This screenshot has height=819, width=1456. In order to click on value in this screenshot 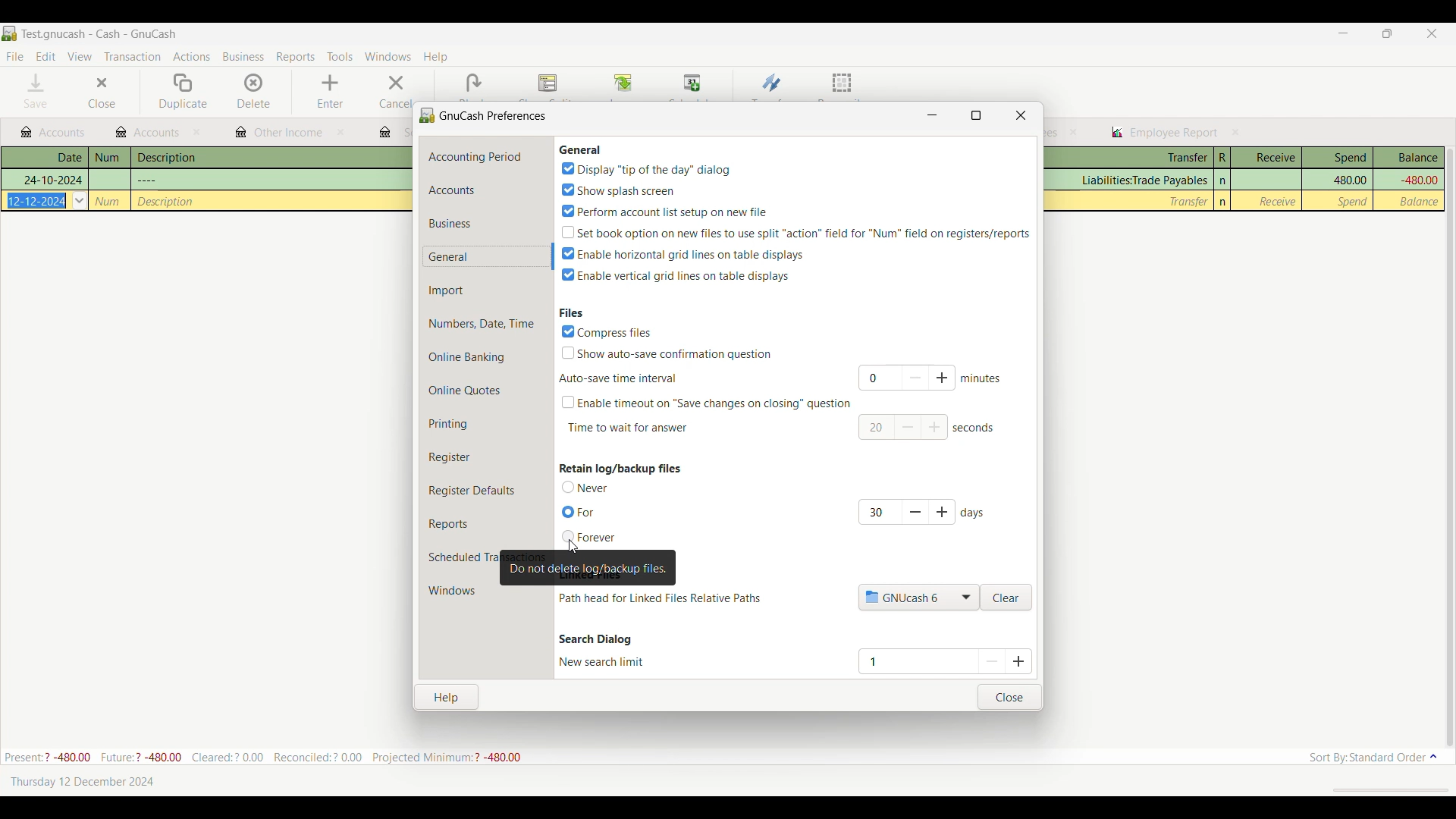, I will do `click(877, 510)`.